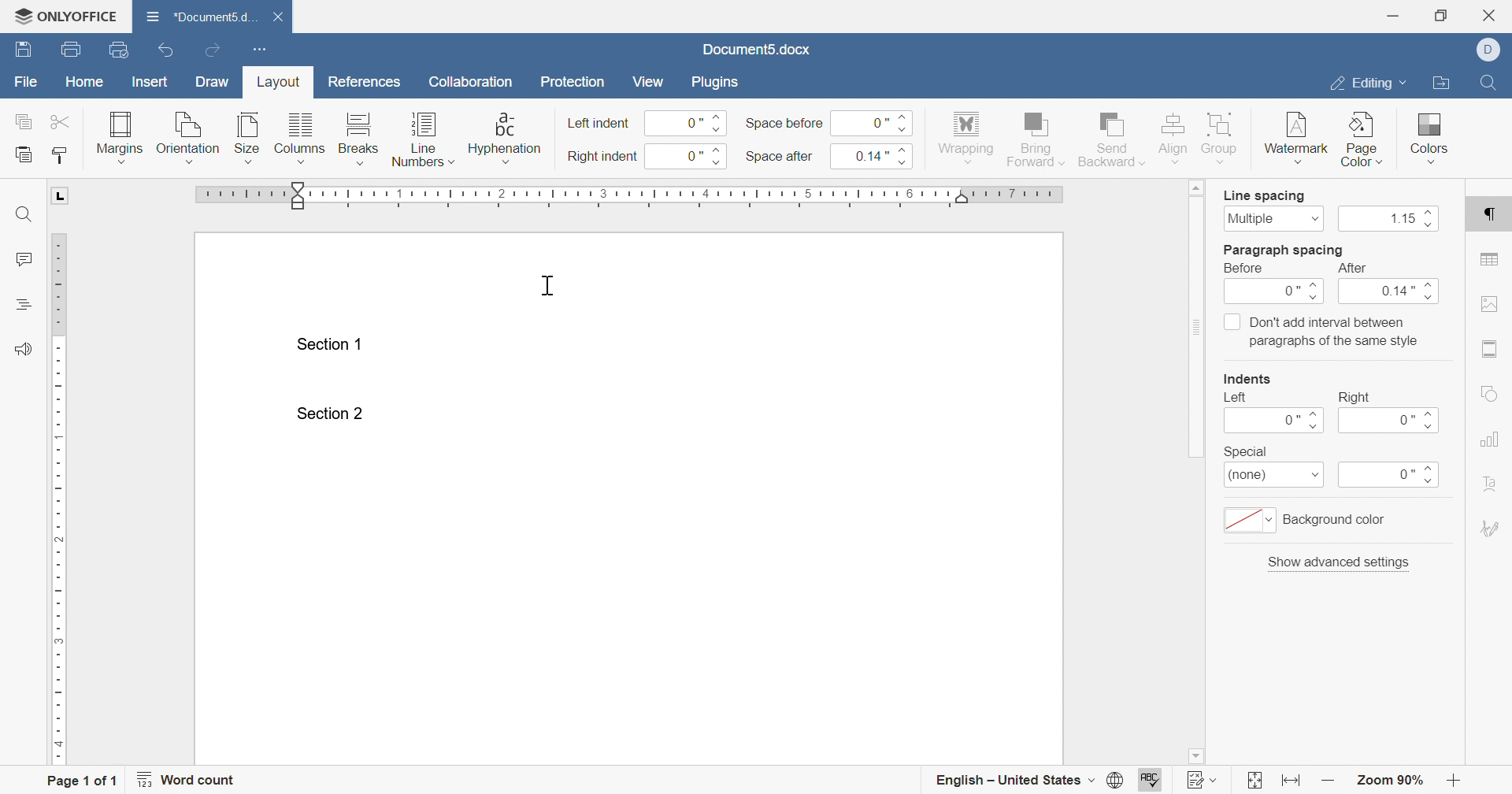 This screenshot has height=794, width=1512. What do you see at coordinates (1488, 303) in the screenshot?
I see `image settings` at bounding box center [1488, 303].